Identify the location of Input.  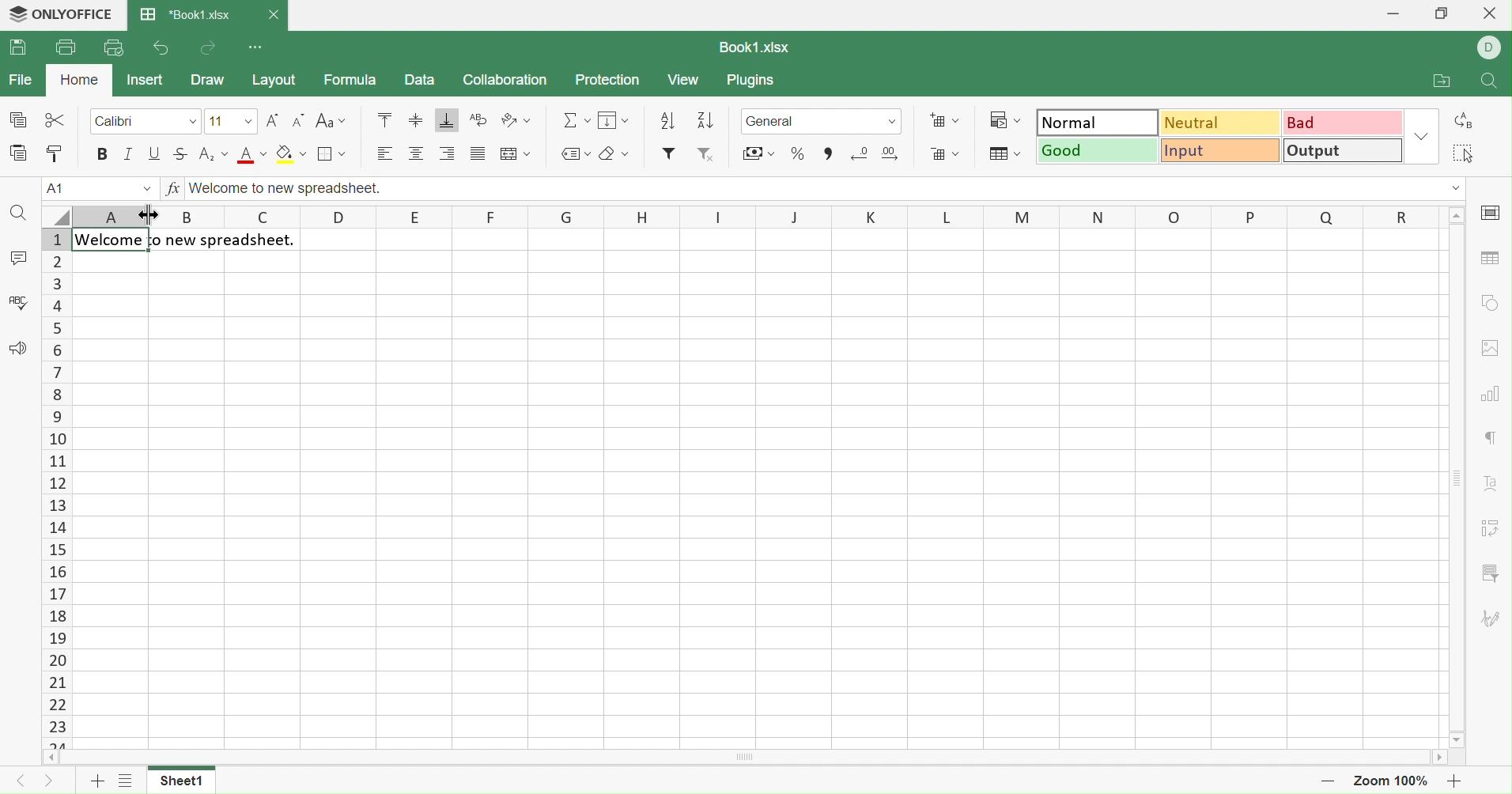
(1223, 151).